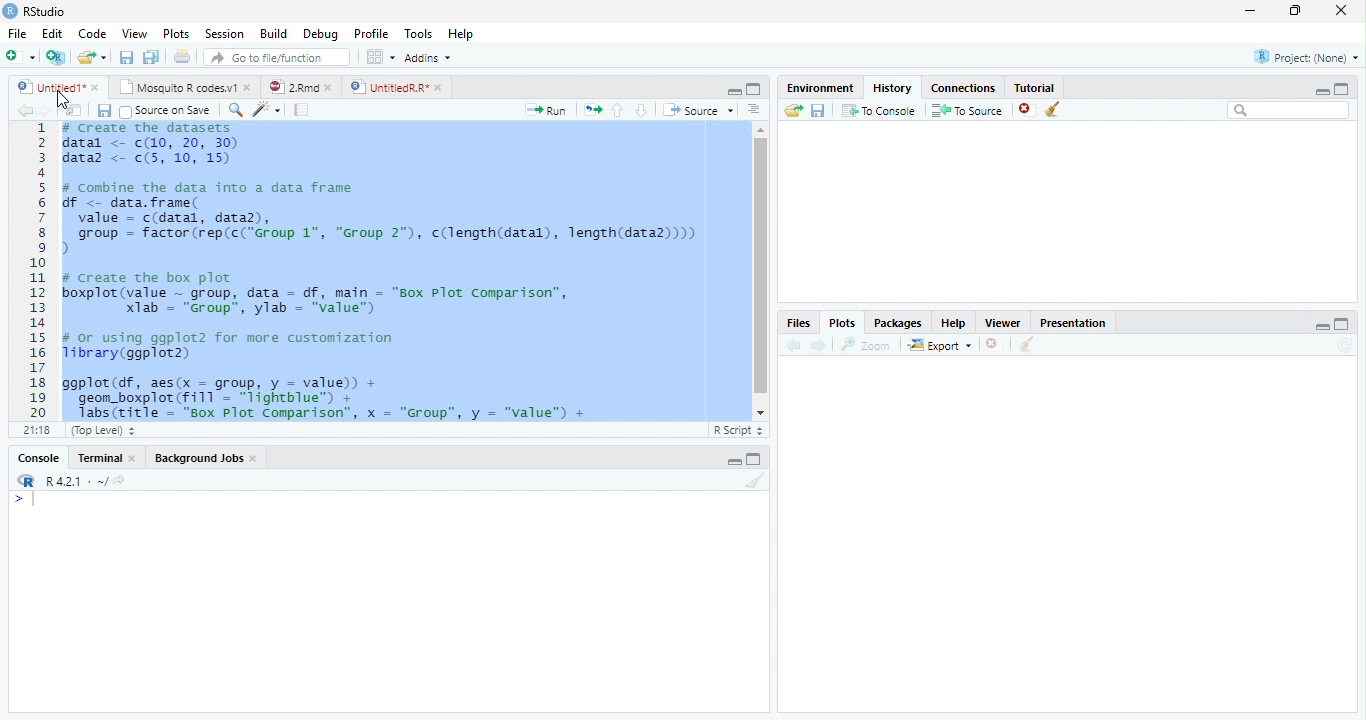 The width and height of the screenshot is (1366, 720). What do you see at coordinates (1321, 92) in the screenshot?
I see `Minimize` at bounding box center [1321, 92].